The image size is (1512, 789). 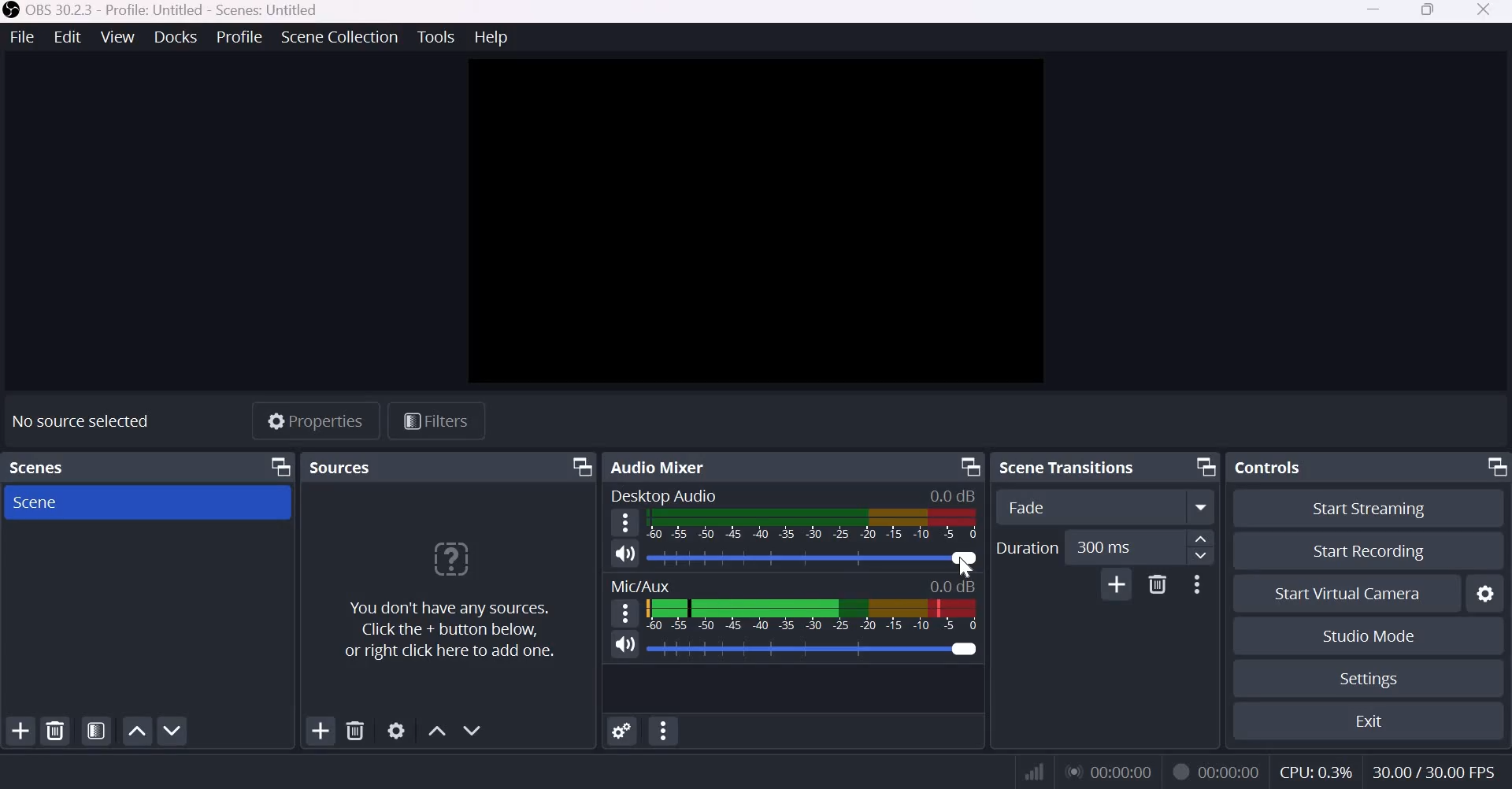 I want to click on Scene transitions, so click(x=1068, y=468).